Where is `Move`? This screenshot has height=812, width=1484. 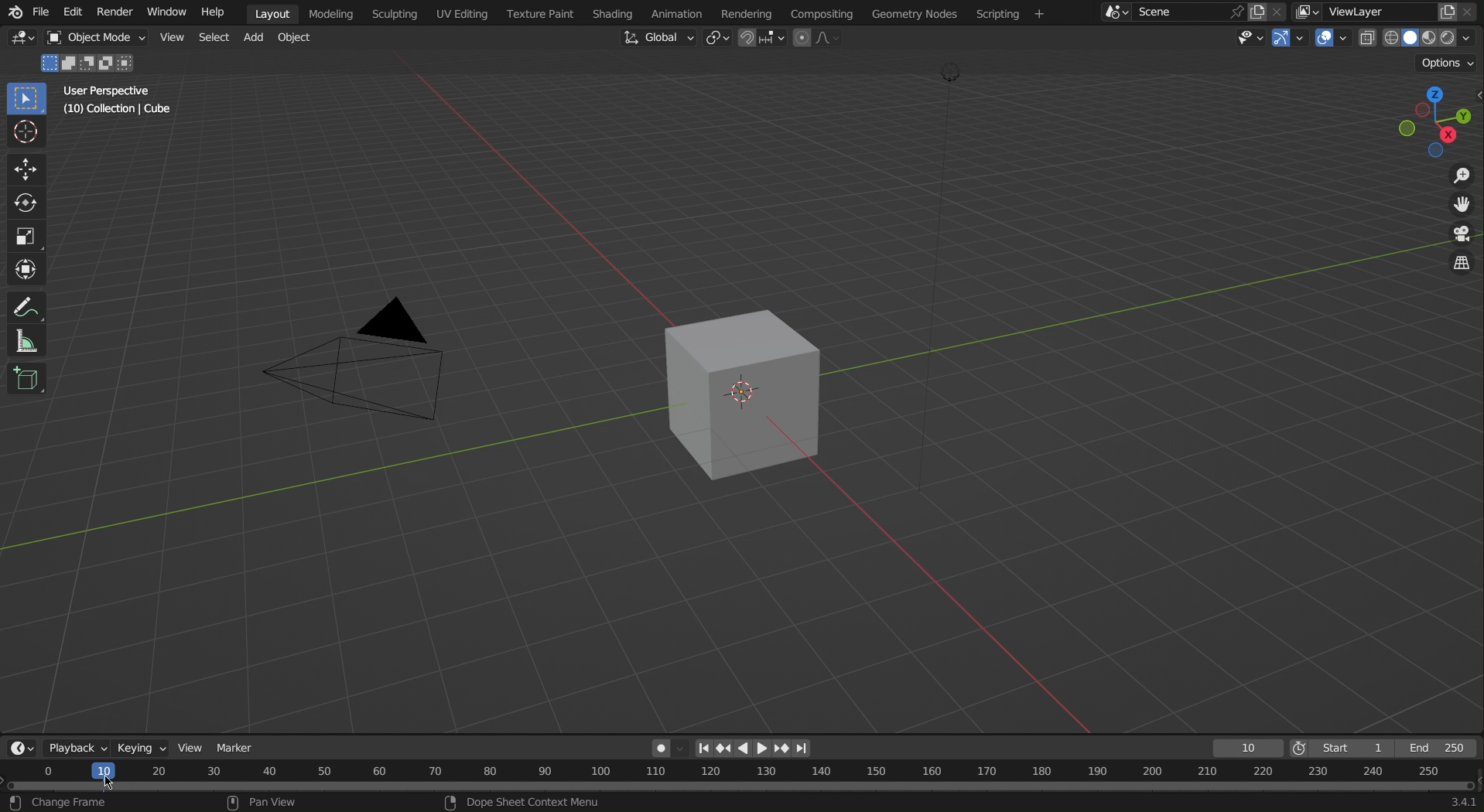 Move is located at coordinates (27, 172).